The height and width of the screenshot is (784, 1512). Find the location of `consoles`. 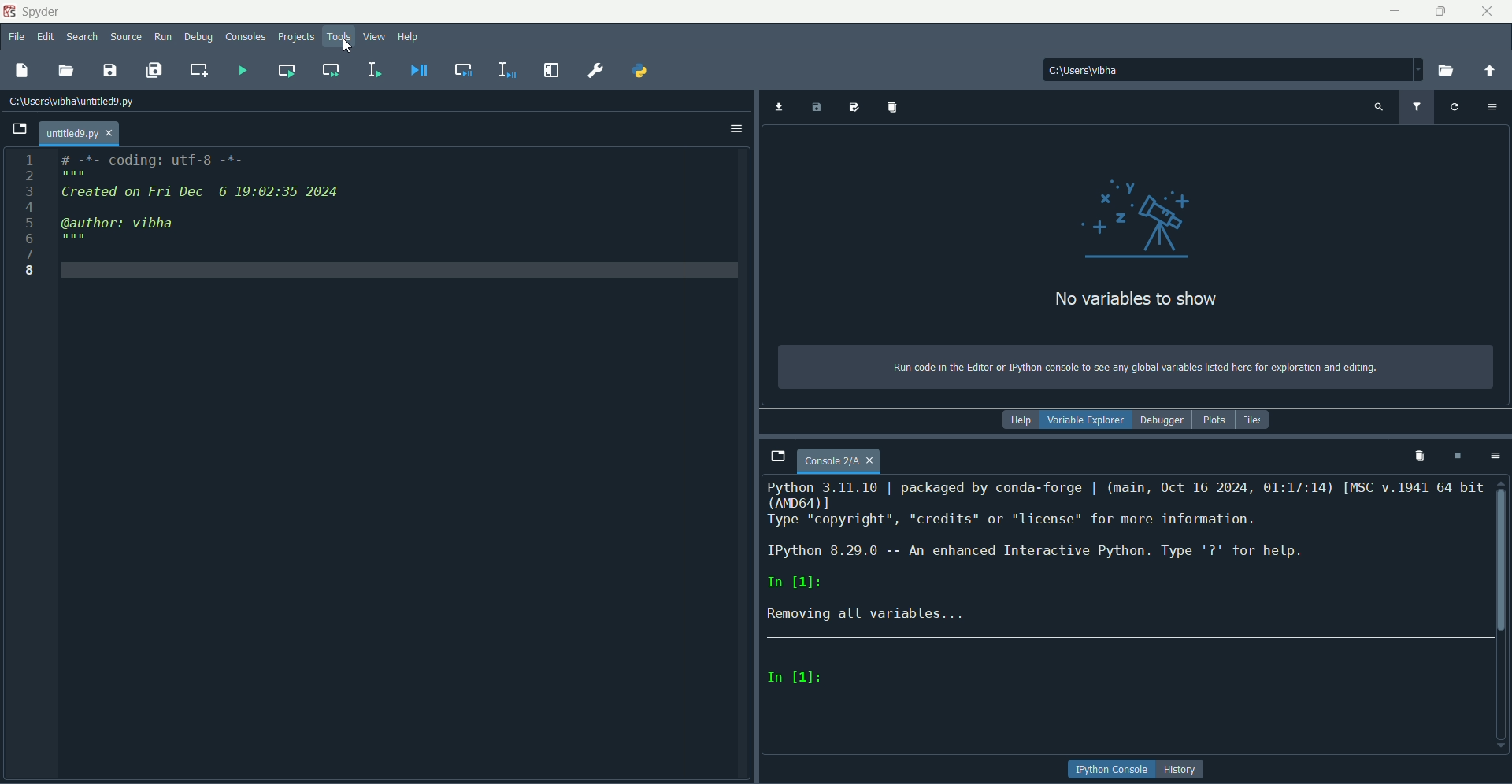

consoles is located at coordinates (246, 36).